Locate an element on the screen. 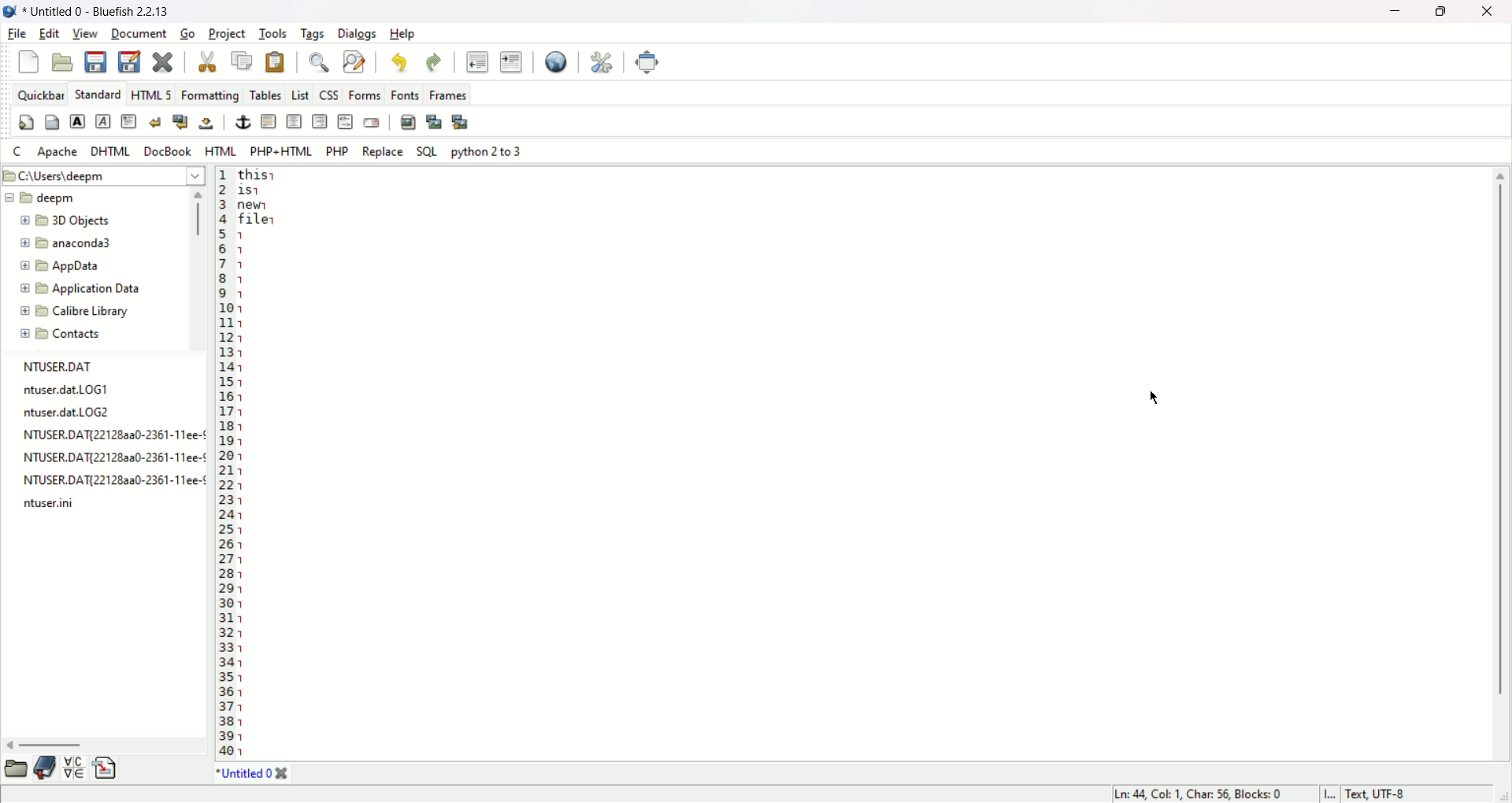 The height and width of the screenshot is (803, 1512). go is located at coordinates (187, 35).